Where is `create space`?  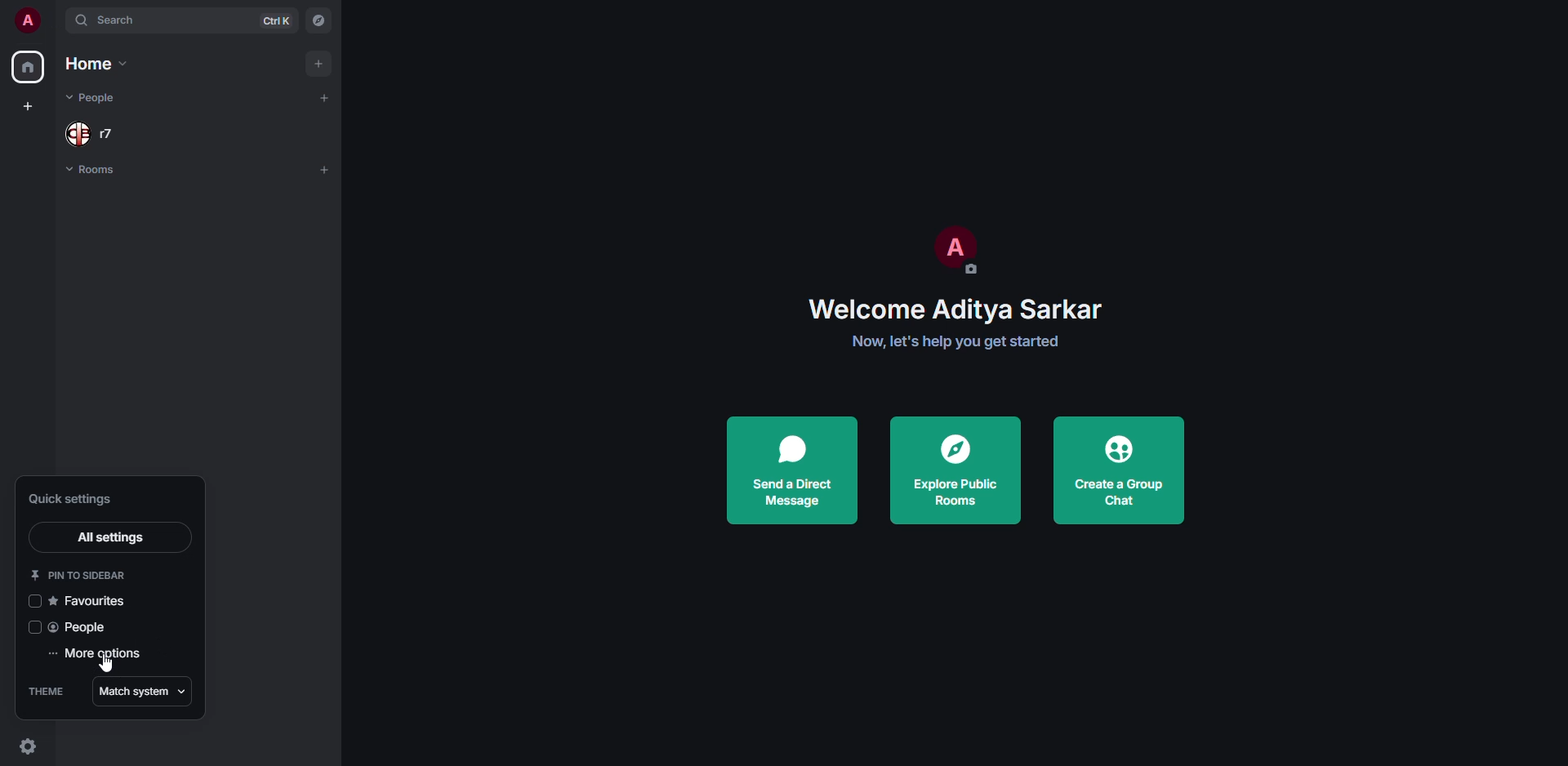 create space is located at coordinates (28, 108).